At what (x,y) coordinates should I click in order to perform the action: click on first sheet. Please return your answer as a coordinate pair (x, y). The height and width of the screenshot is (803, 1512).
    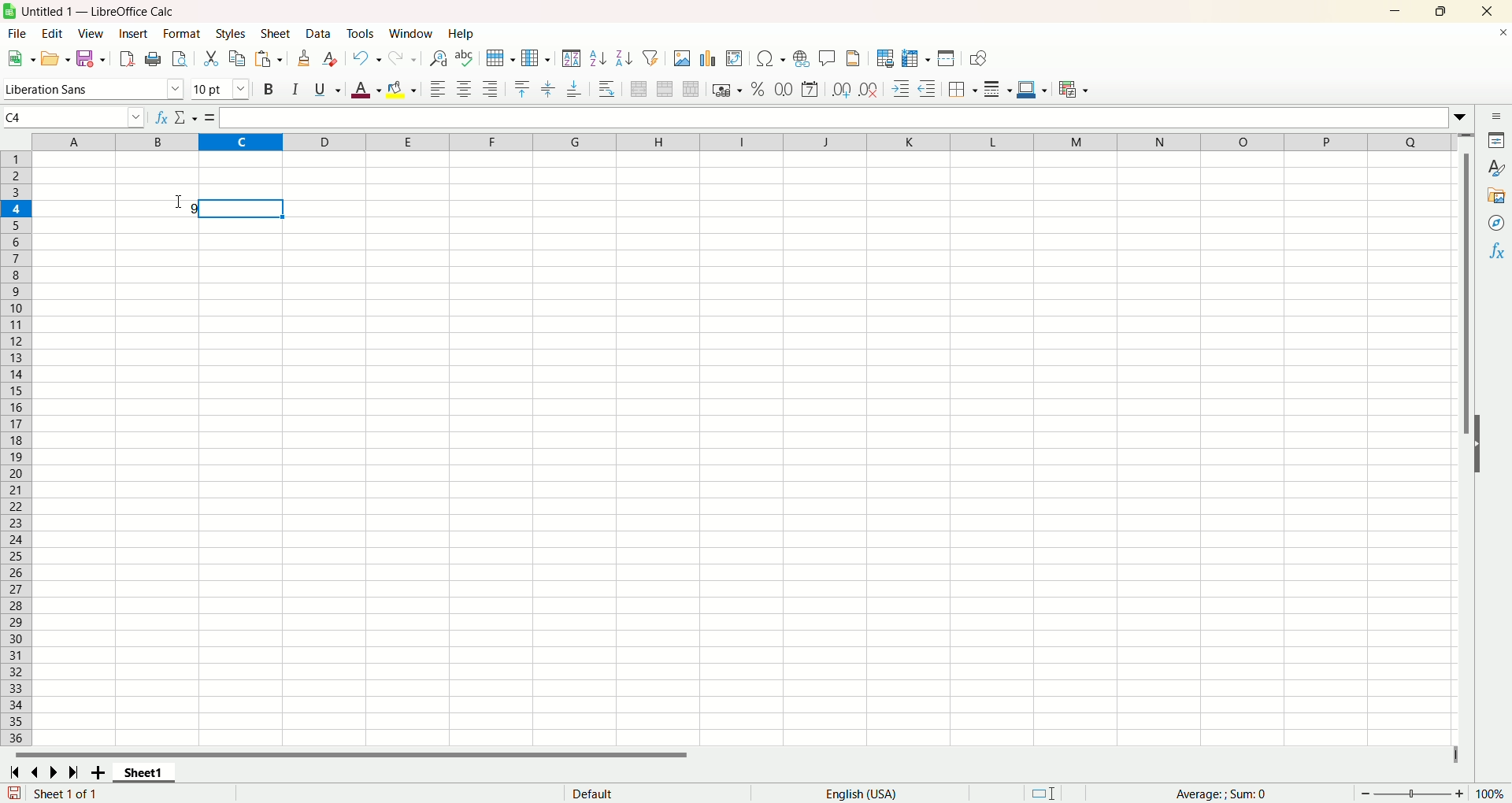
    Looking at the image, I should click on (13, 771).